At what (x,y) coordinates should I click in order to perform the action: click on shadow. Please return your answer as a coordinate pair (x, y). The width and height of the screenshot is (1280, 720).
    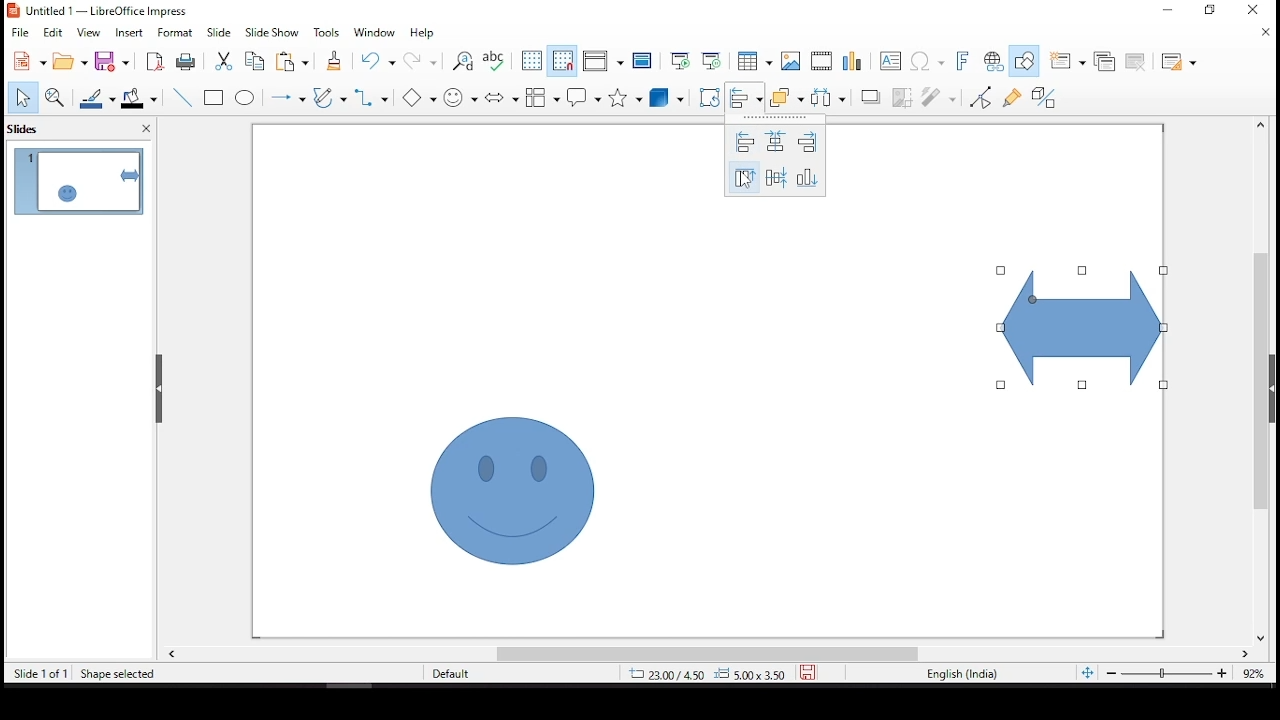
    Looking at the image, I should click on (871, 96).